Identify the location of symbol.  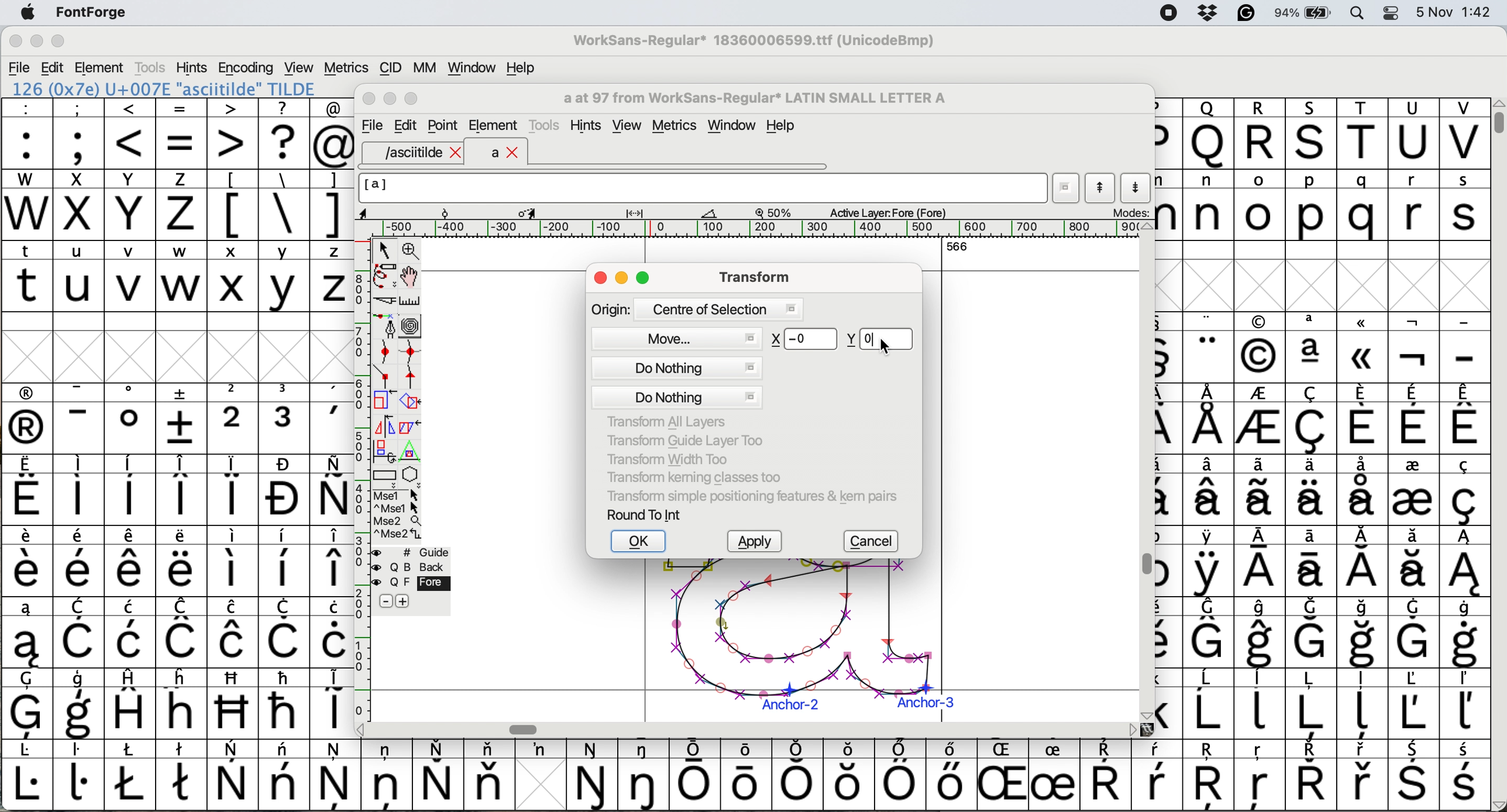
(1157, 775).